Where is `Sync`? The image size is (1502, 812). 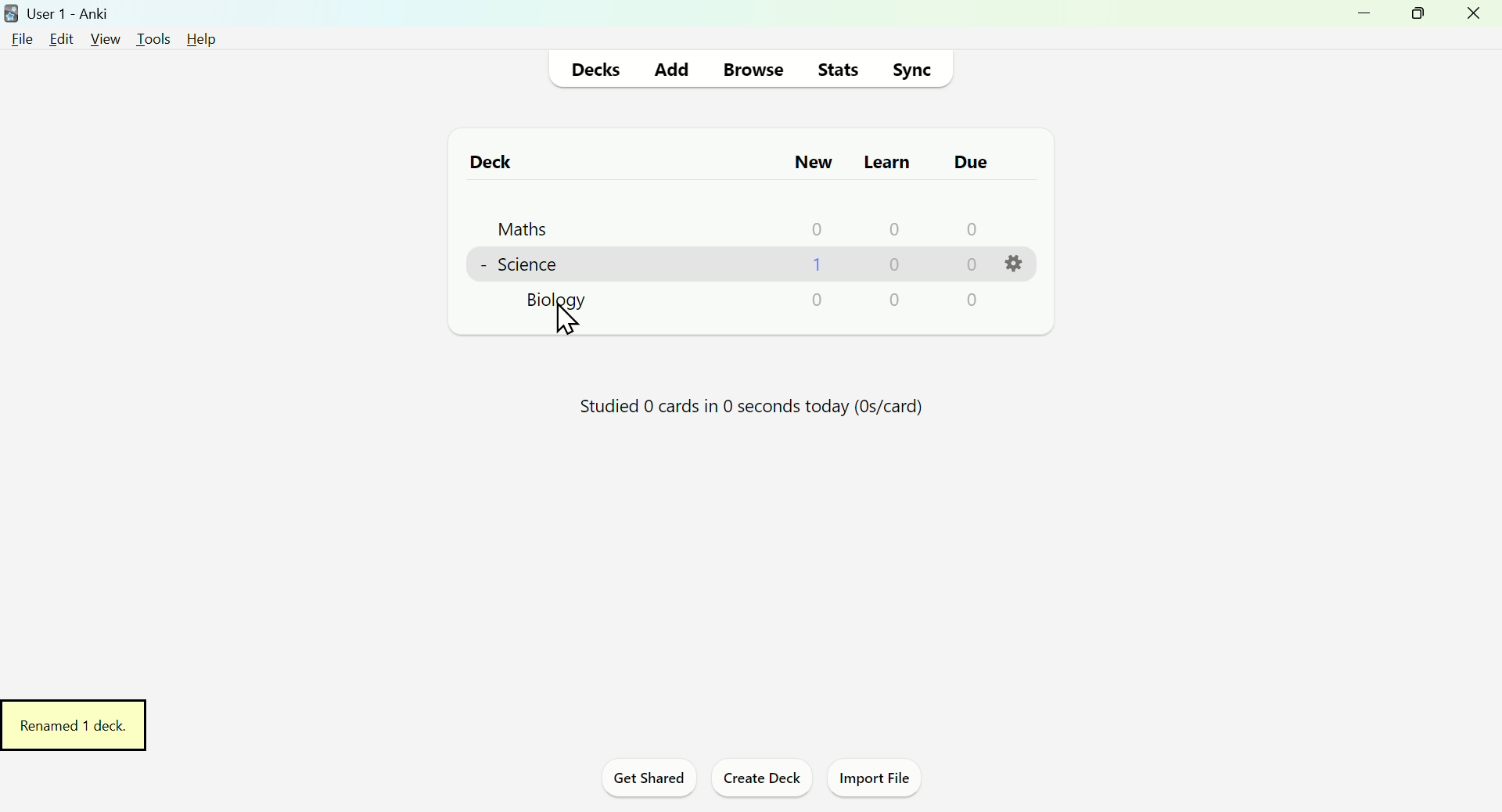 Sync is located at coordinates (916, 67).